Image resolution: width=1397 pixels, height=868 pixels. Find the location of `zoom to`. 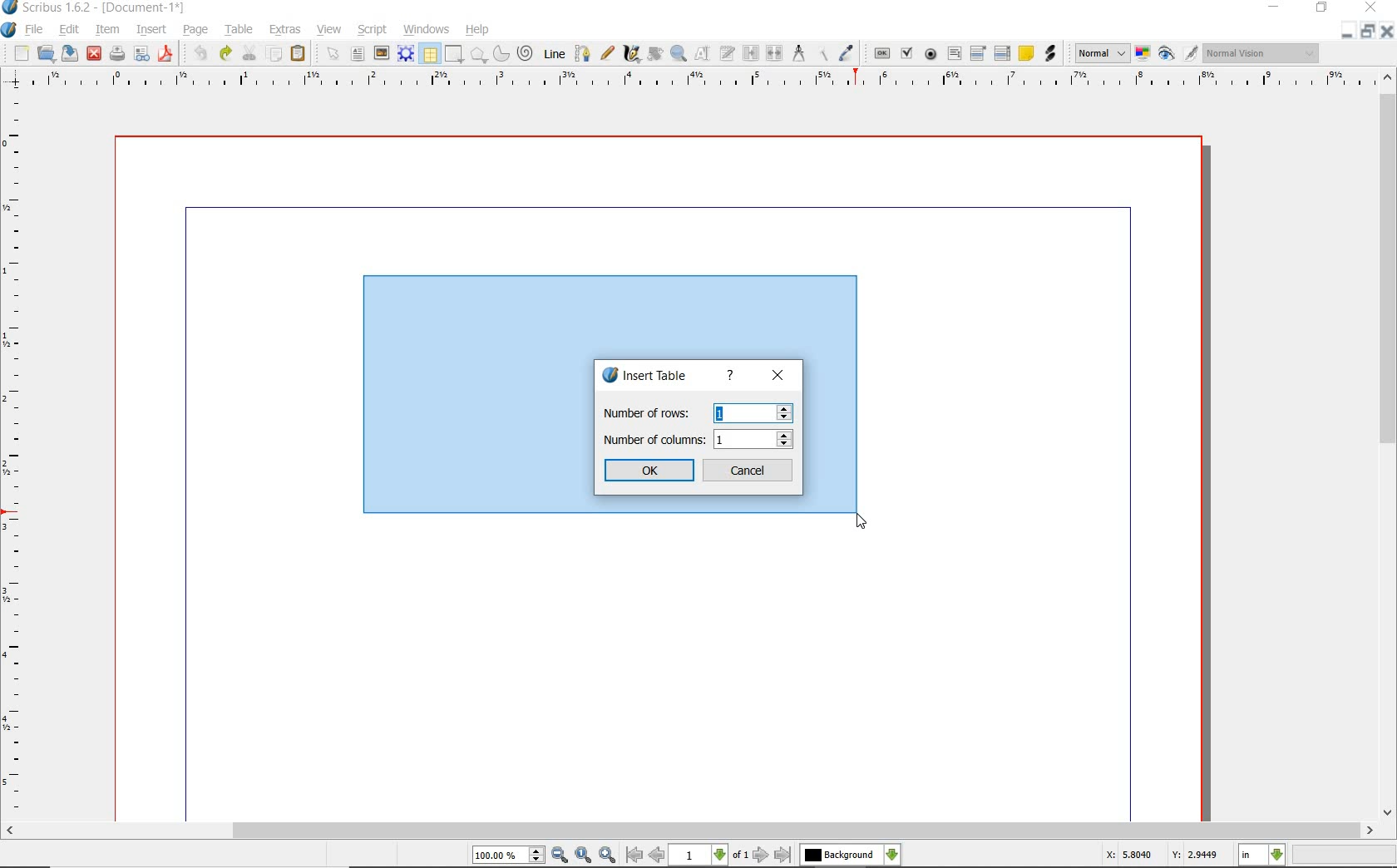

zoom to is located at coordinates (583, 856).